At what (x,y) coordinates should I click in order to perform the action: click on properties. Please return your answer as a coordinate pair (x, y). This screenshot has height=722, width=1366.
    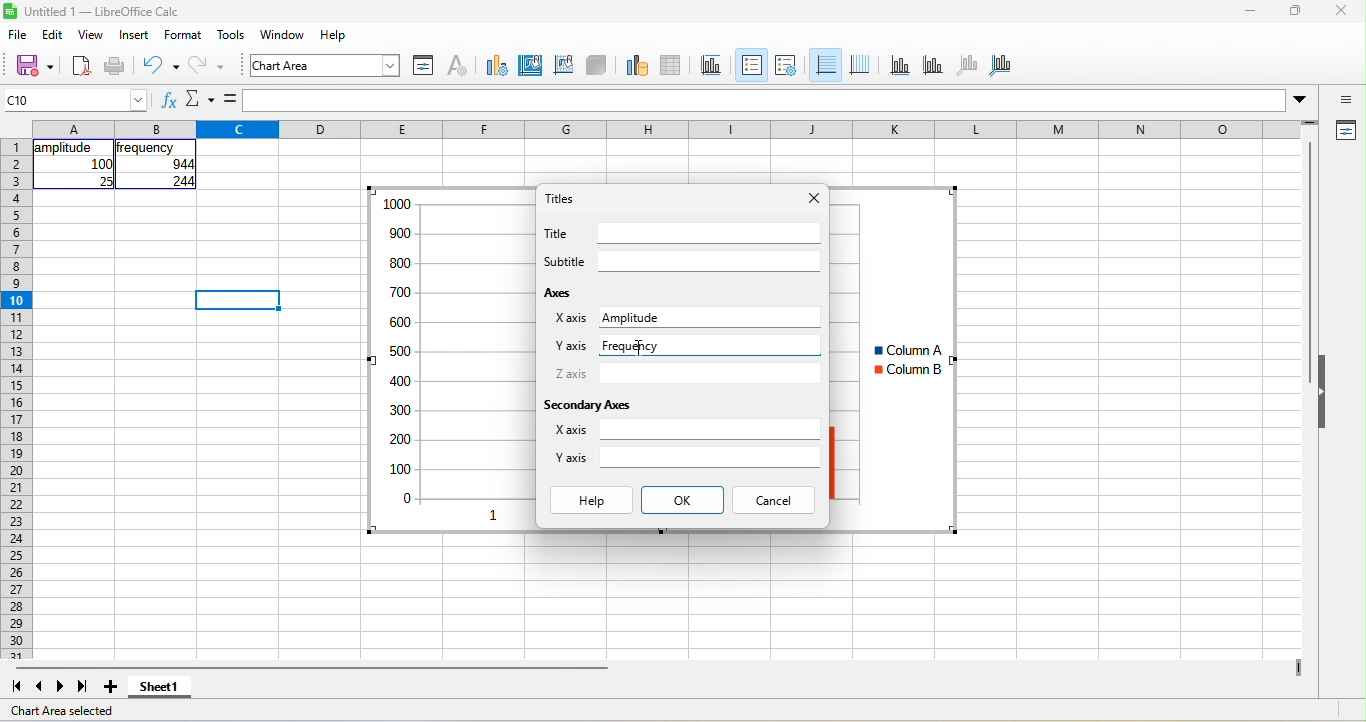
    Looking at the image, I should click on (1344, 131).